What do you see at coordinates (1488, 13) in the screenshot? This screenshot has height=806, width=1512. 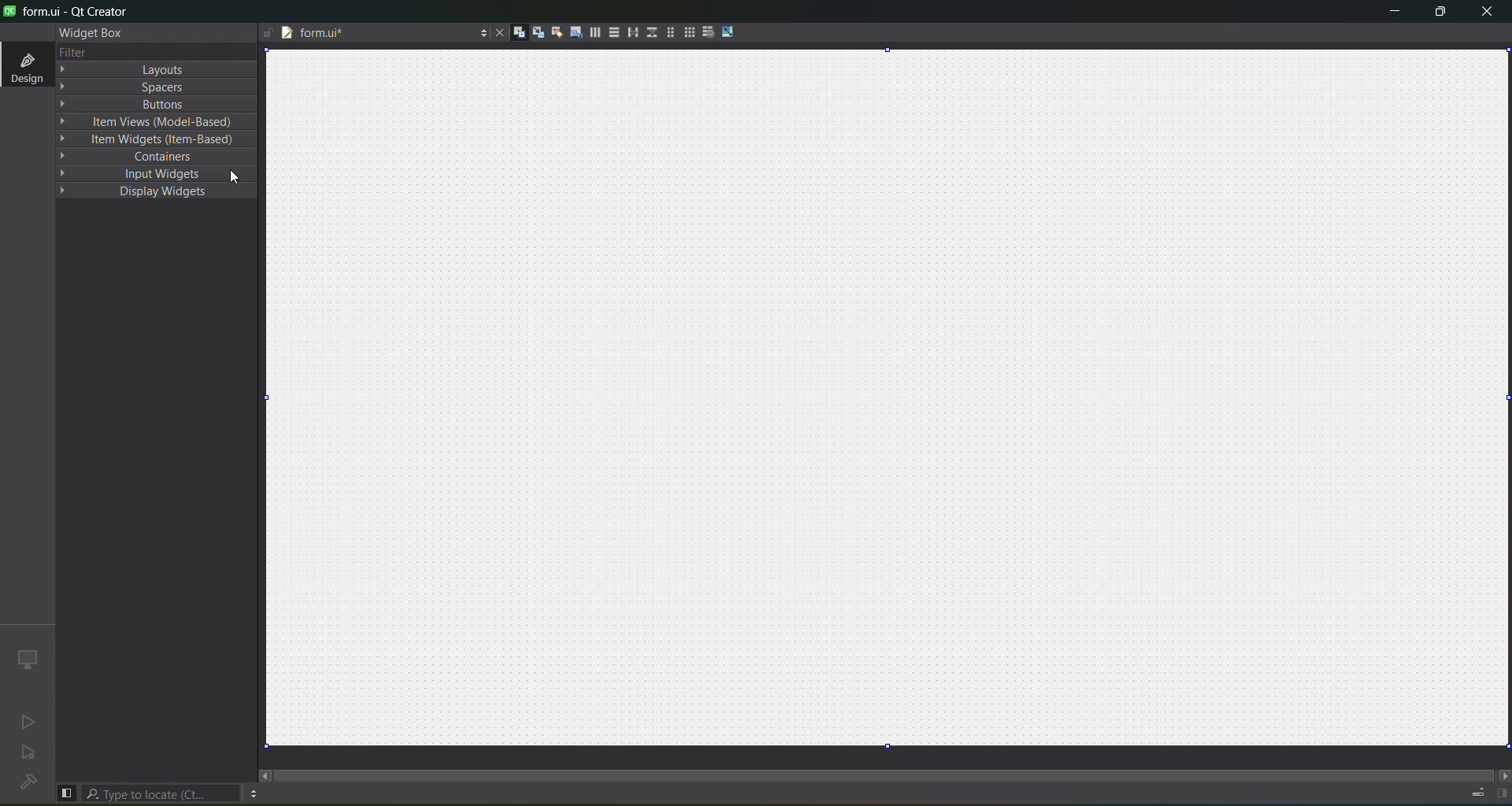 I see `close` at bounding box center [1488, 13].